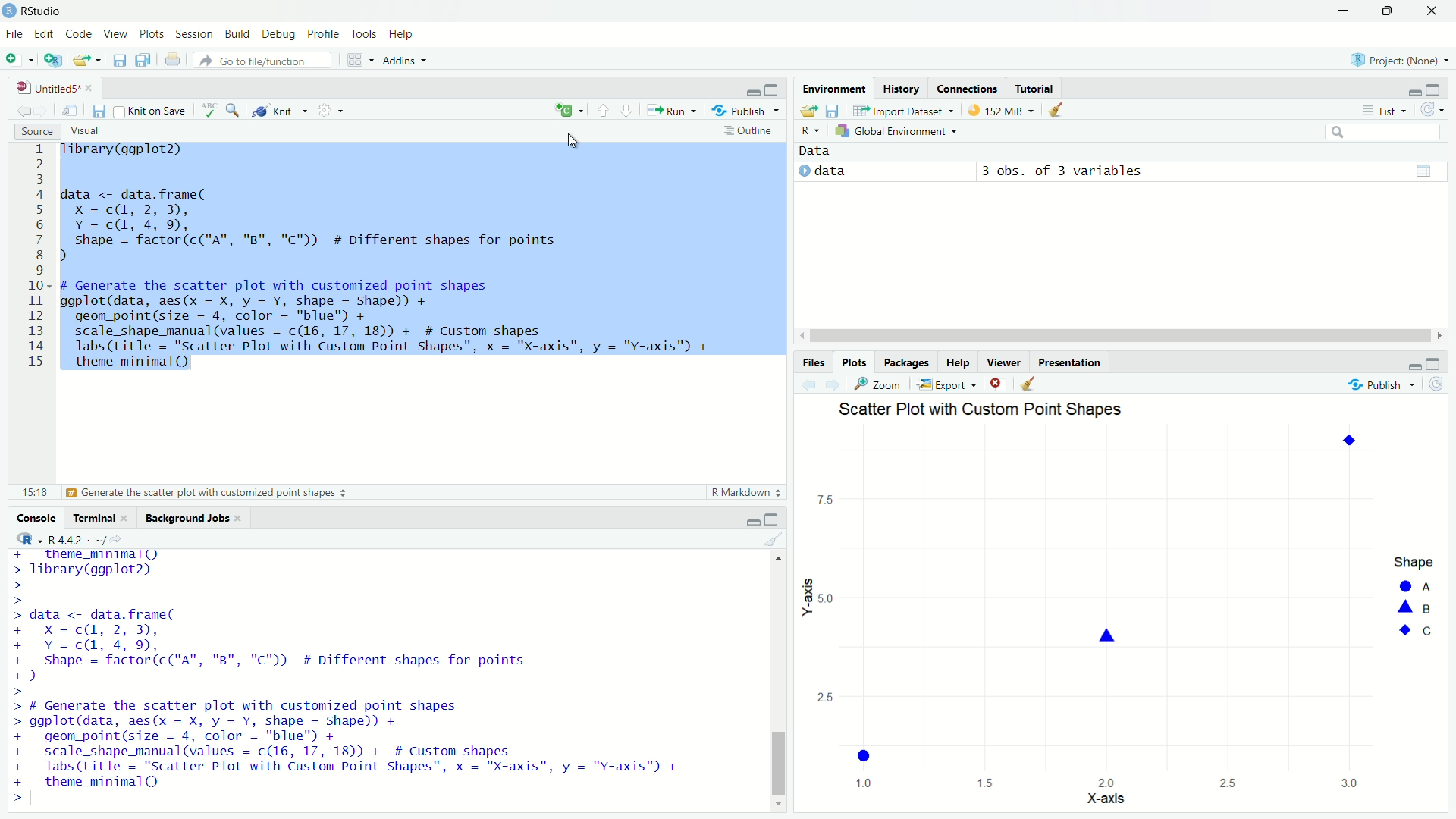 Image resolution: width=1456 pixels, height=819 pixels. I want to click on 4 obs. of 1 variable, so click(1058, 171).